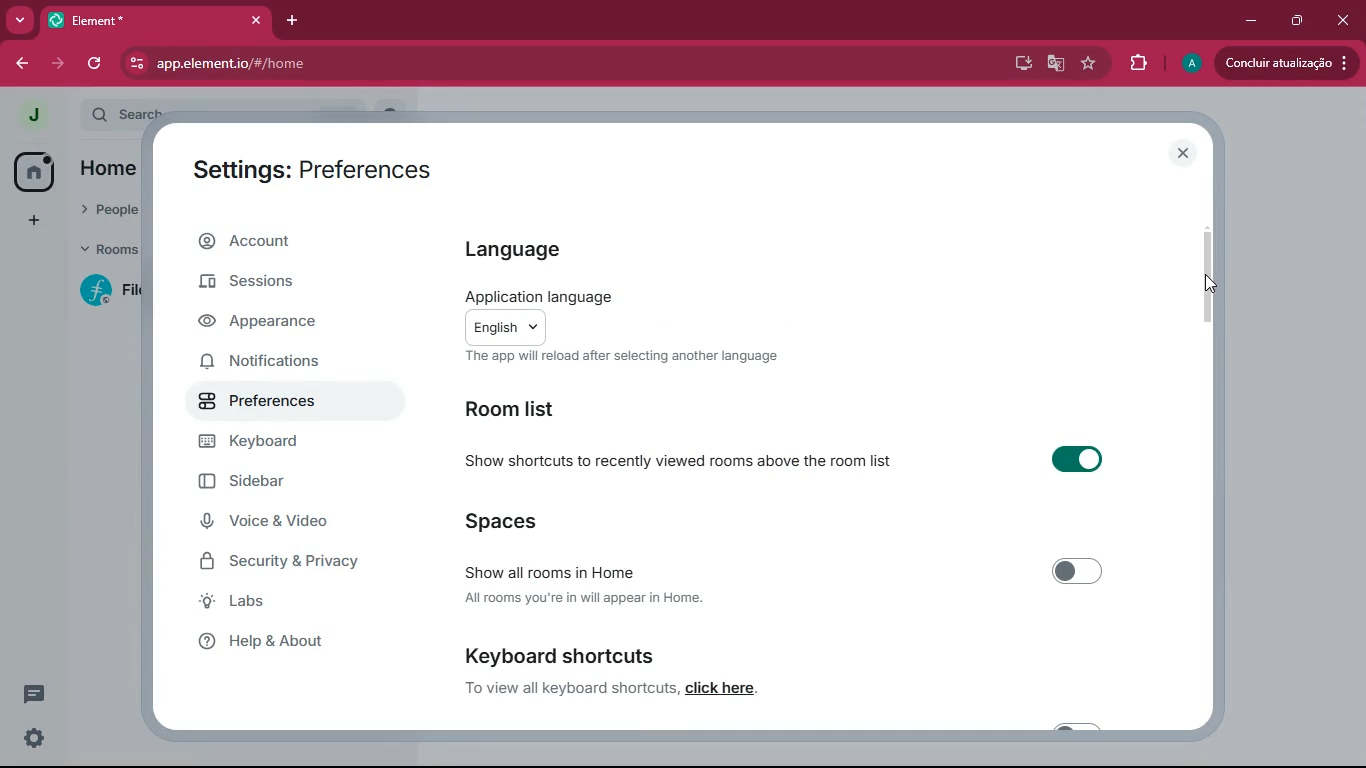  What do you see at coordinates (1246, 21) in the screenshot?
I see `minimize` at bounding box center [1246, 21].